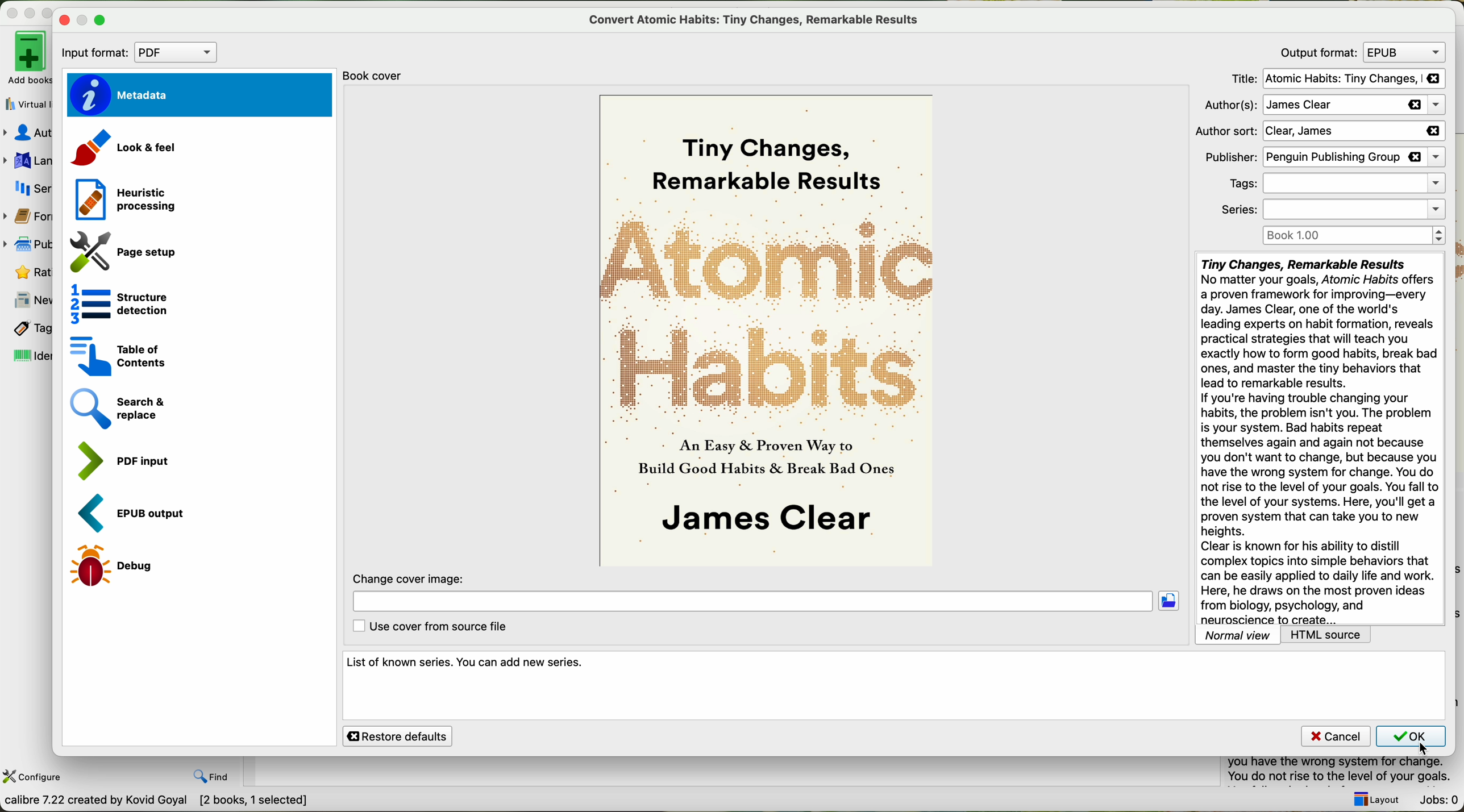 Image resolution: width=1464 pixels, height=812 pixels. Describe the element at coordinates (432, 627) in the screenshot. I see `use cover from source file` at that location.